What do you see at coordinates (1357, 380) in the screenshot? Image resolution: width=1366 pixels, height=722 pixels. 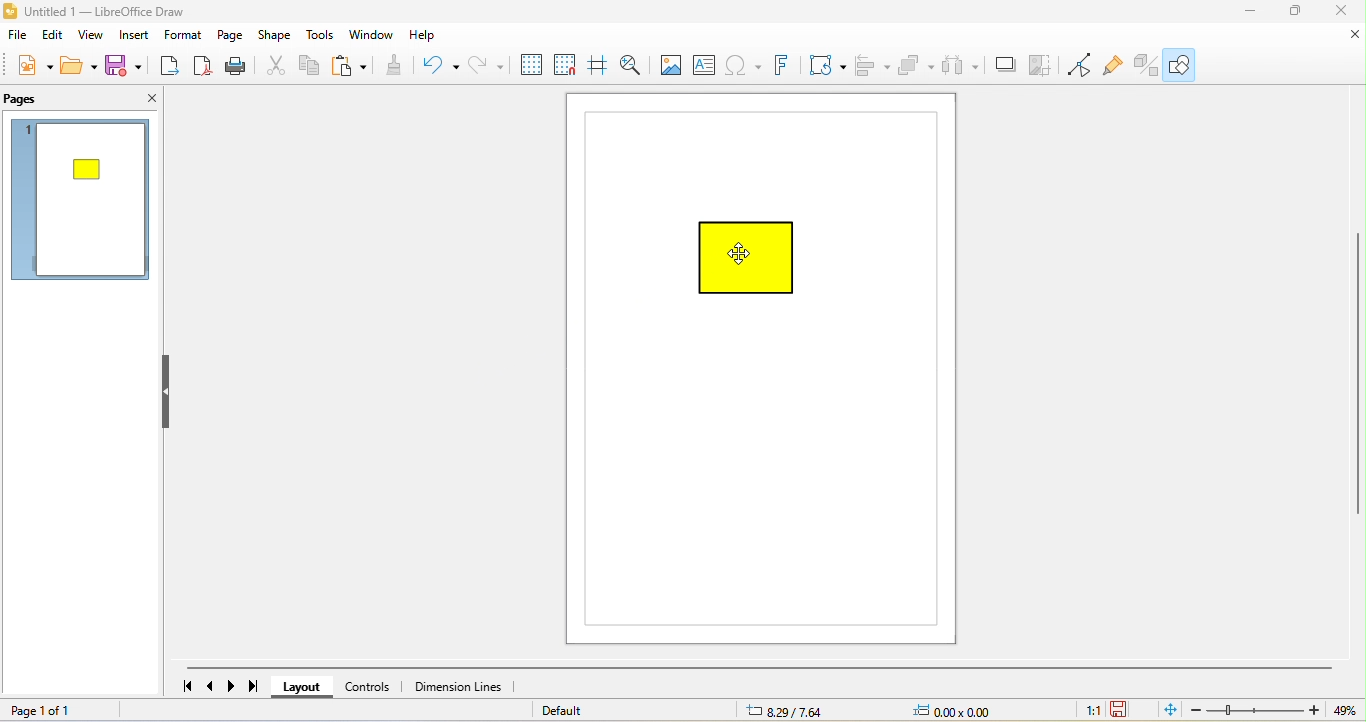 I see `vertical scroll bar` at bounding box center [1357, 380].